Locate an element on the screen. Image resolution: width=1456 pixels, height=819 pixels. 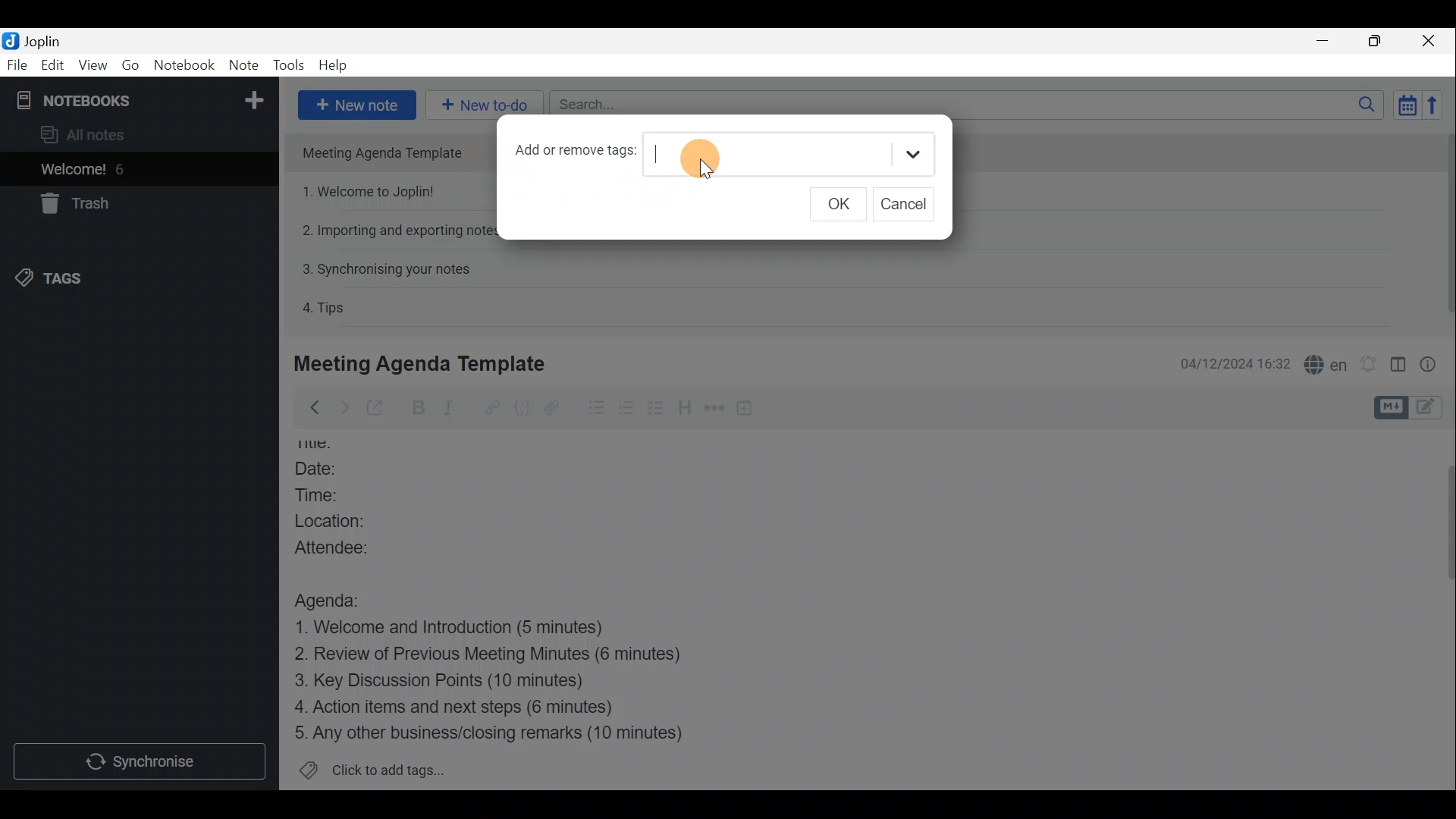
Horizontal rule is located at coordinates (716, 410).